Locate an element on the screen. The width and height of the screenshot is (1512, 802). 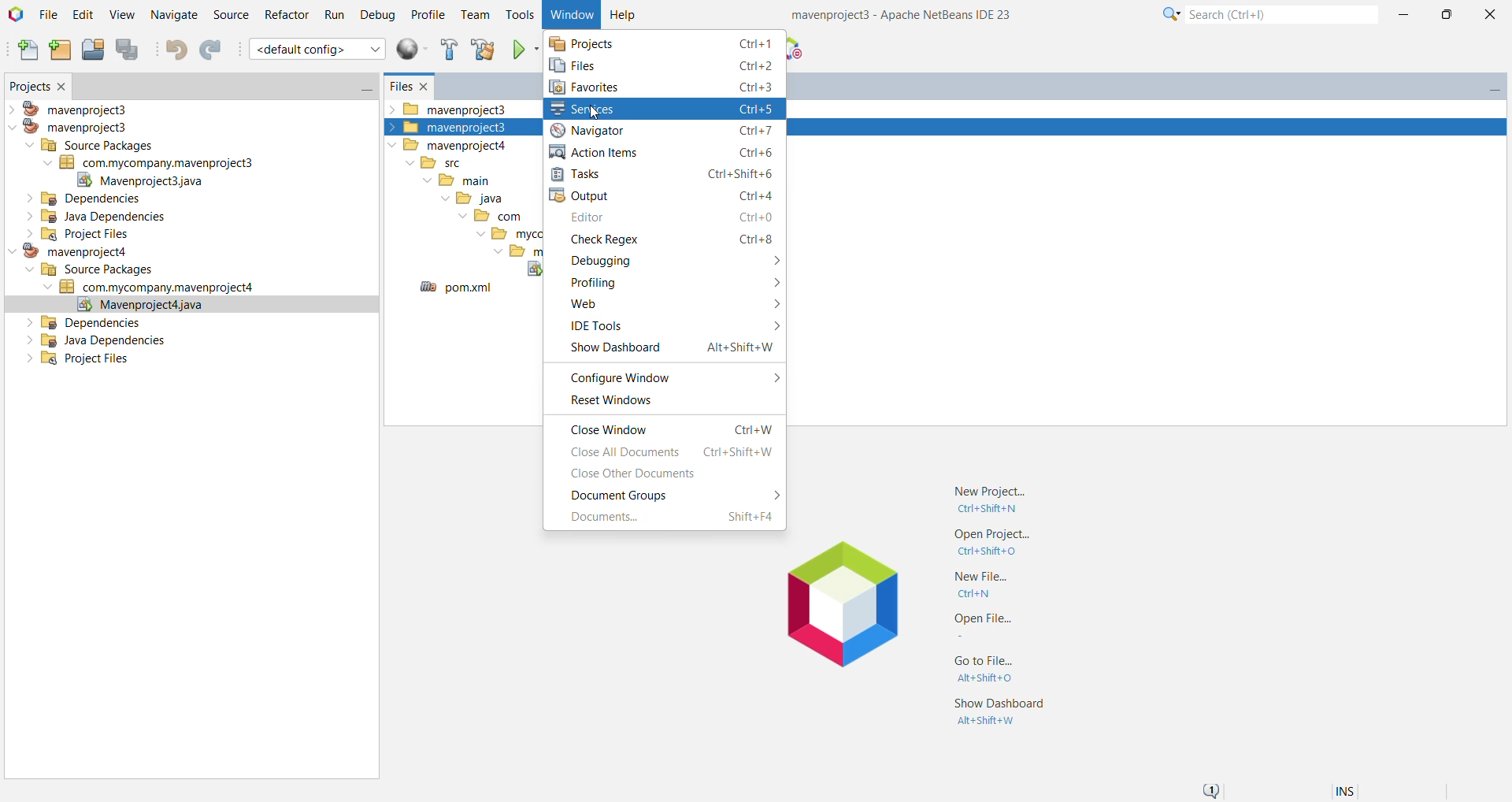
Configure Window is located at coordinates (671, 377).